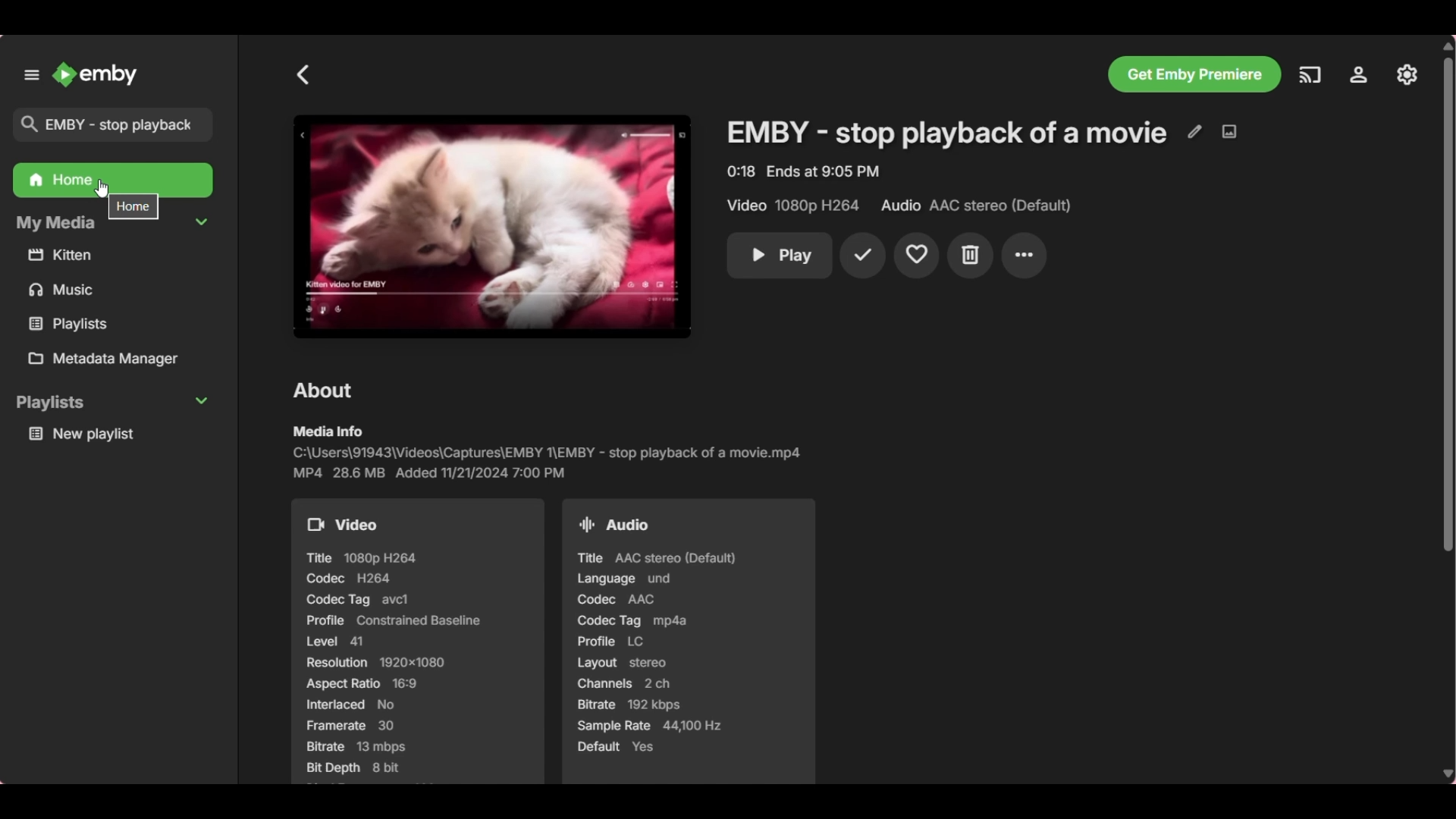  Describe the element at coordinates (618, 522) in the screenshot. I see `Audio` at that location.